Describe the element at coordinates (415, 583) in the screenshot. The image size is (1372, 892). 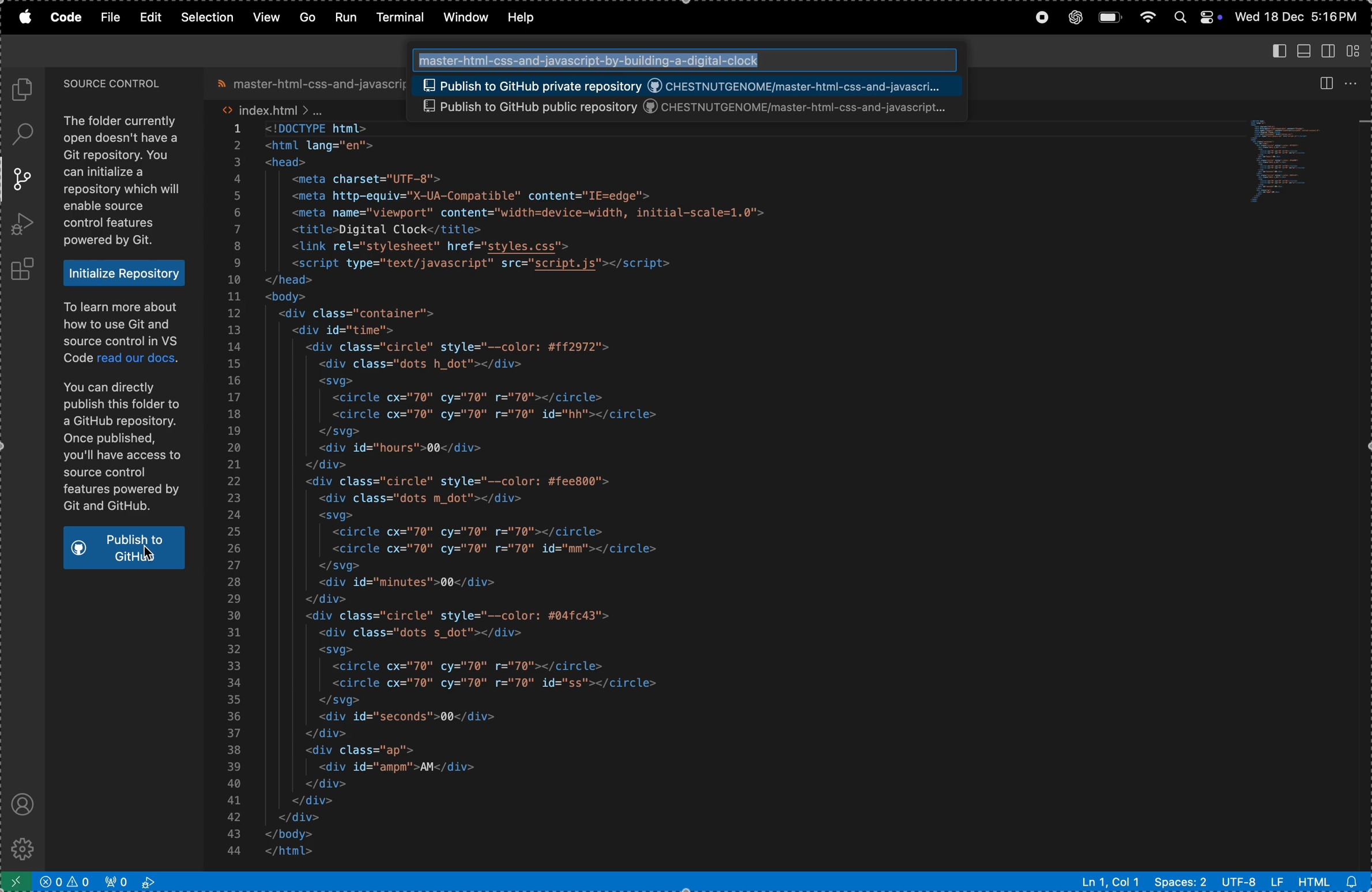
I see `<div id="minutes">00</div>` at that location.